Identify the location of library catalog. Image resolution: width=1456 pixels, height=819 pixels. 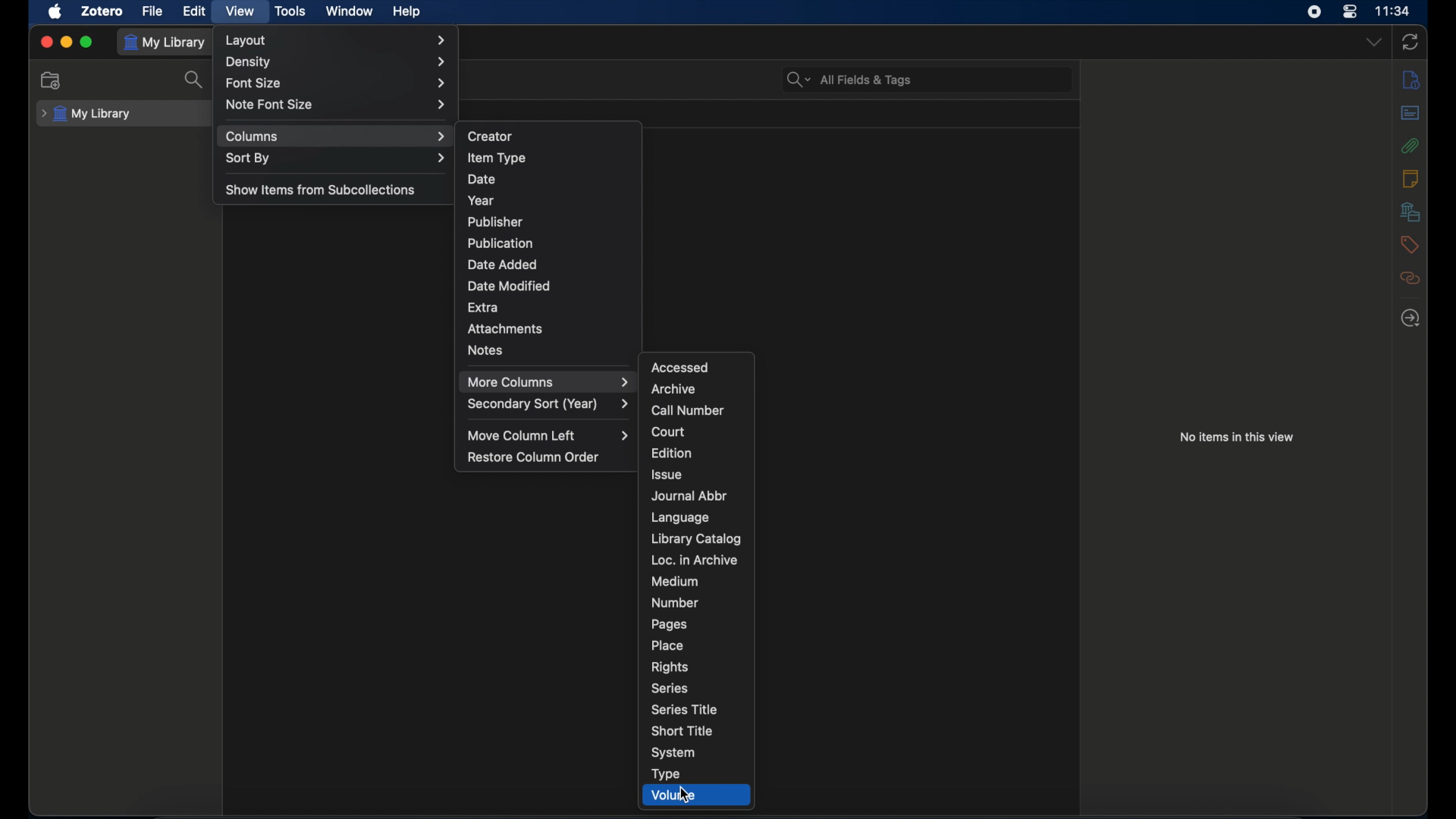
(695, 539).